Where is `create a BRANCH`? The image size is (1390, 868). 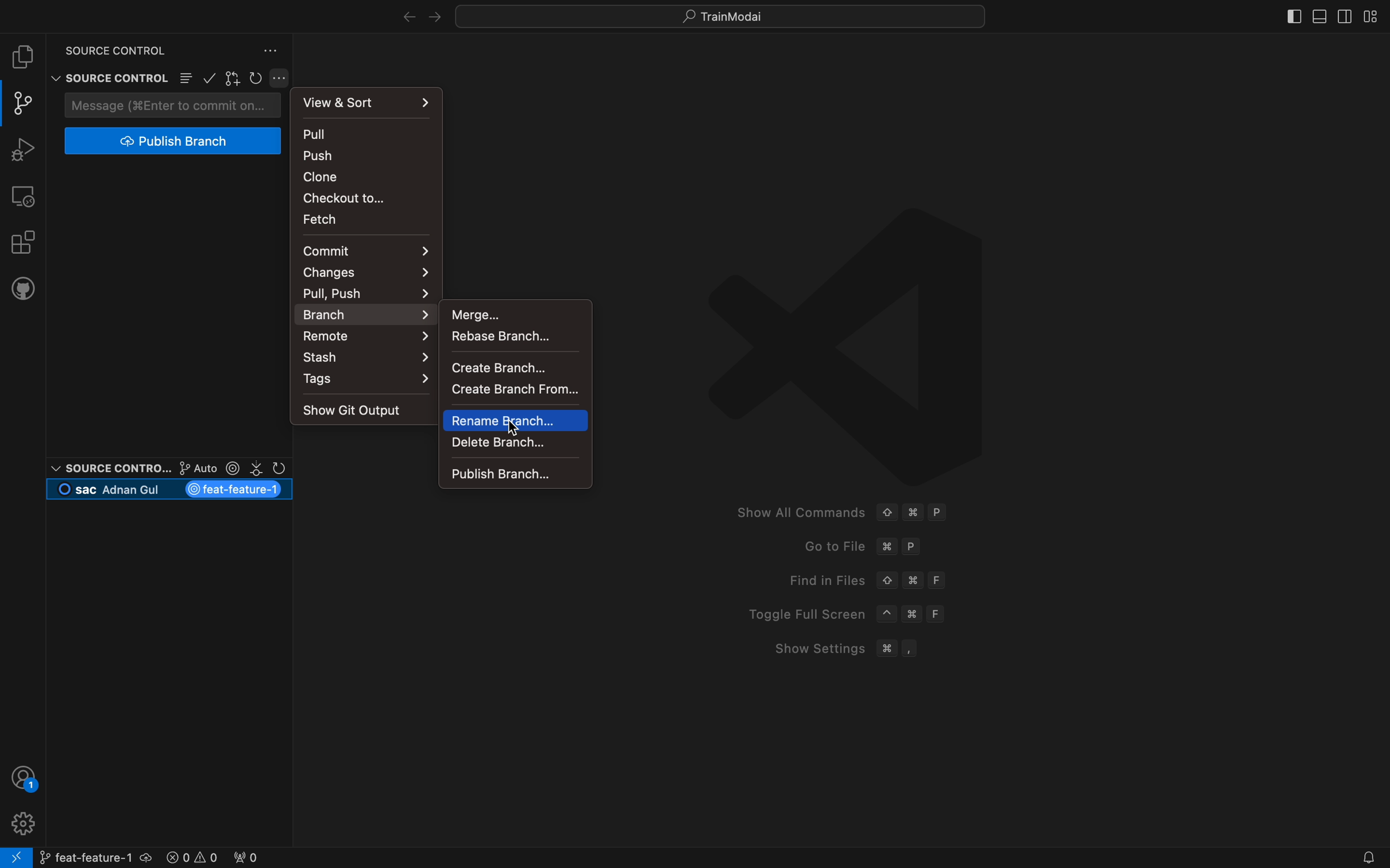
create a BRANCH is located at coordinates (519, 369).